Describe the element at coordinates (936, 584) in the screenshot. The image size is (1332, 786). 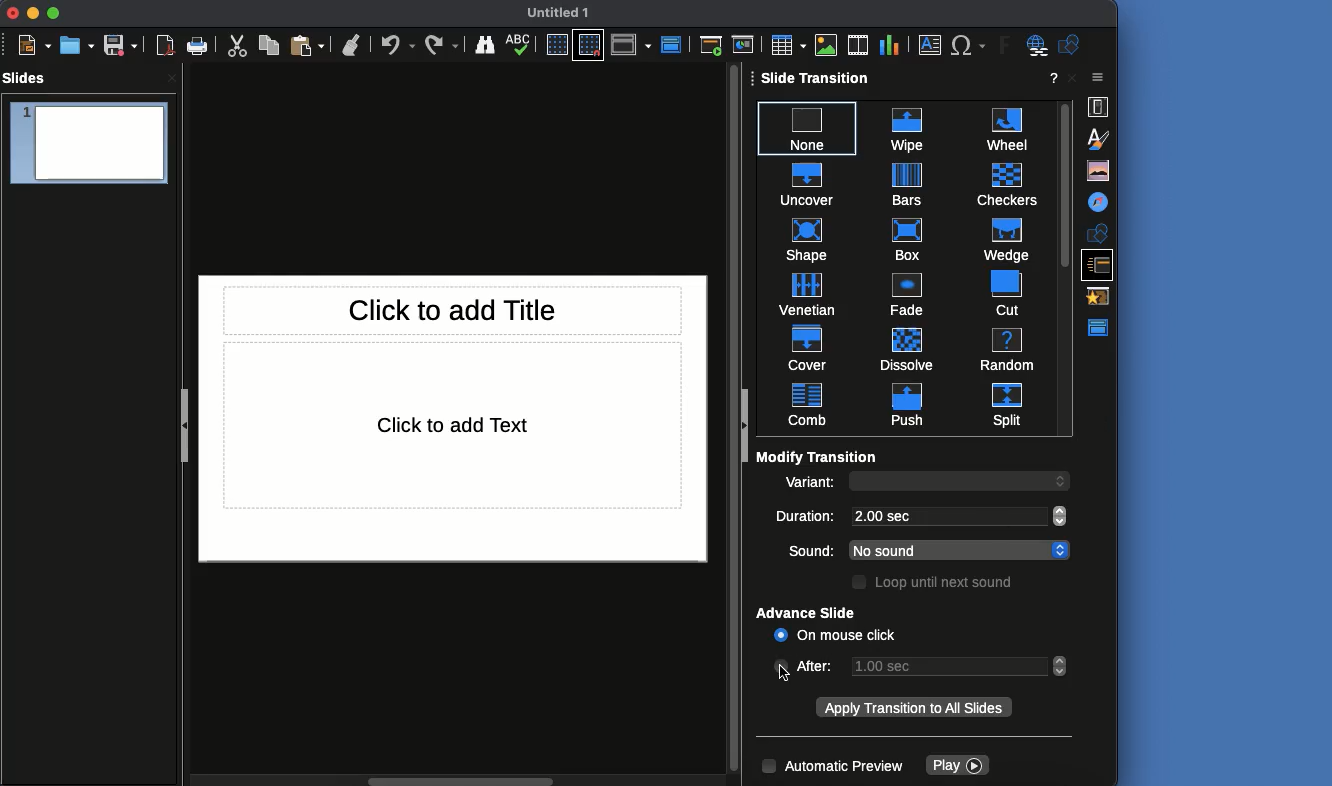
I see `Loop until next sound` at that location.